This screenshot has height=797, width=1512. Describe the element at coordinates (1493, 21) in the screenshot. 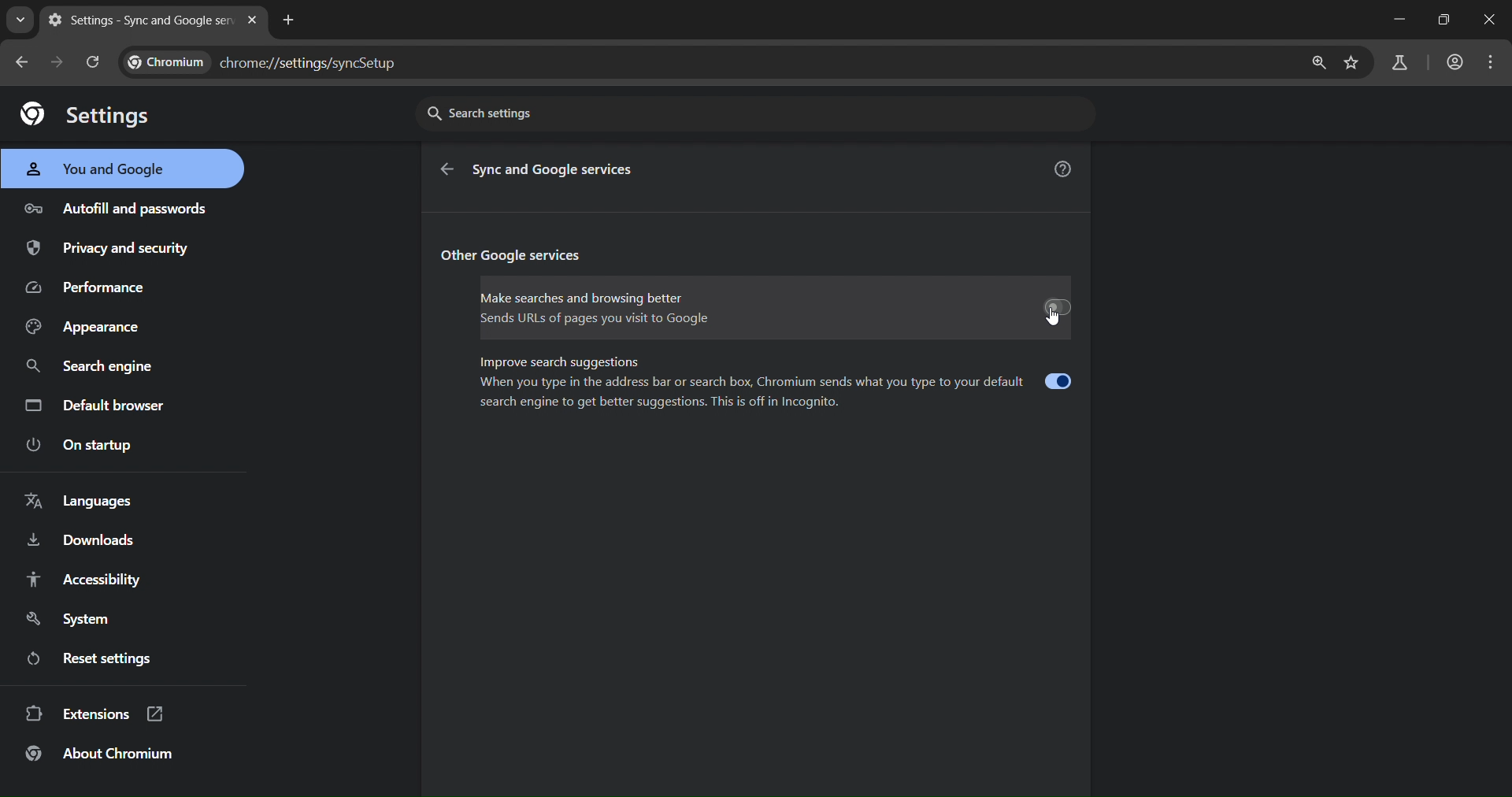

I see `close` at that location.